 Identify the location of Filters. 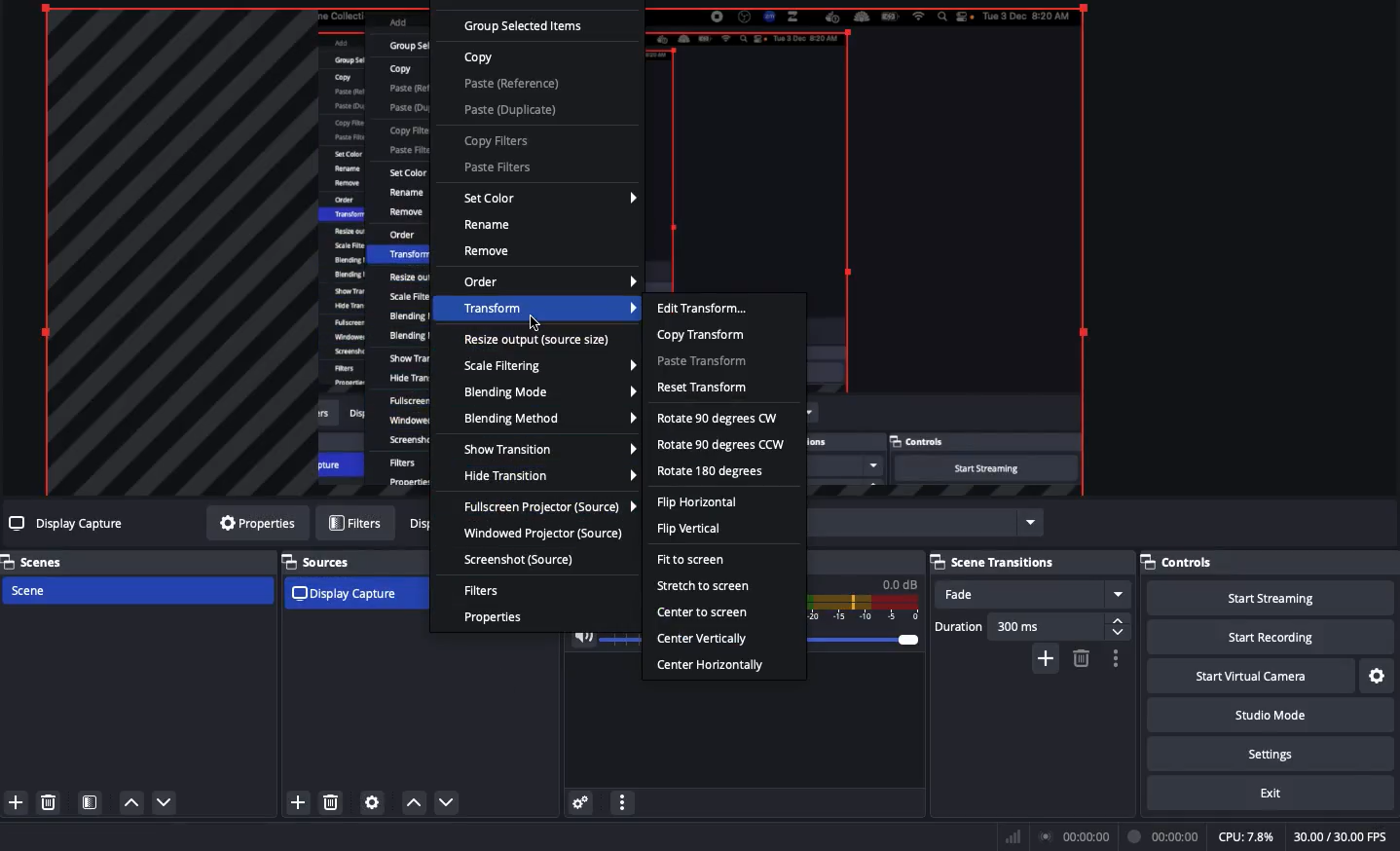
(483, 590).